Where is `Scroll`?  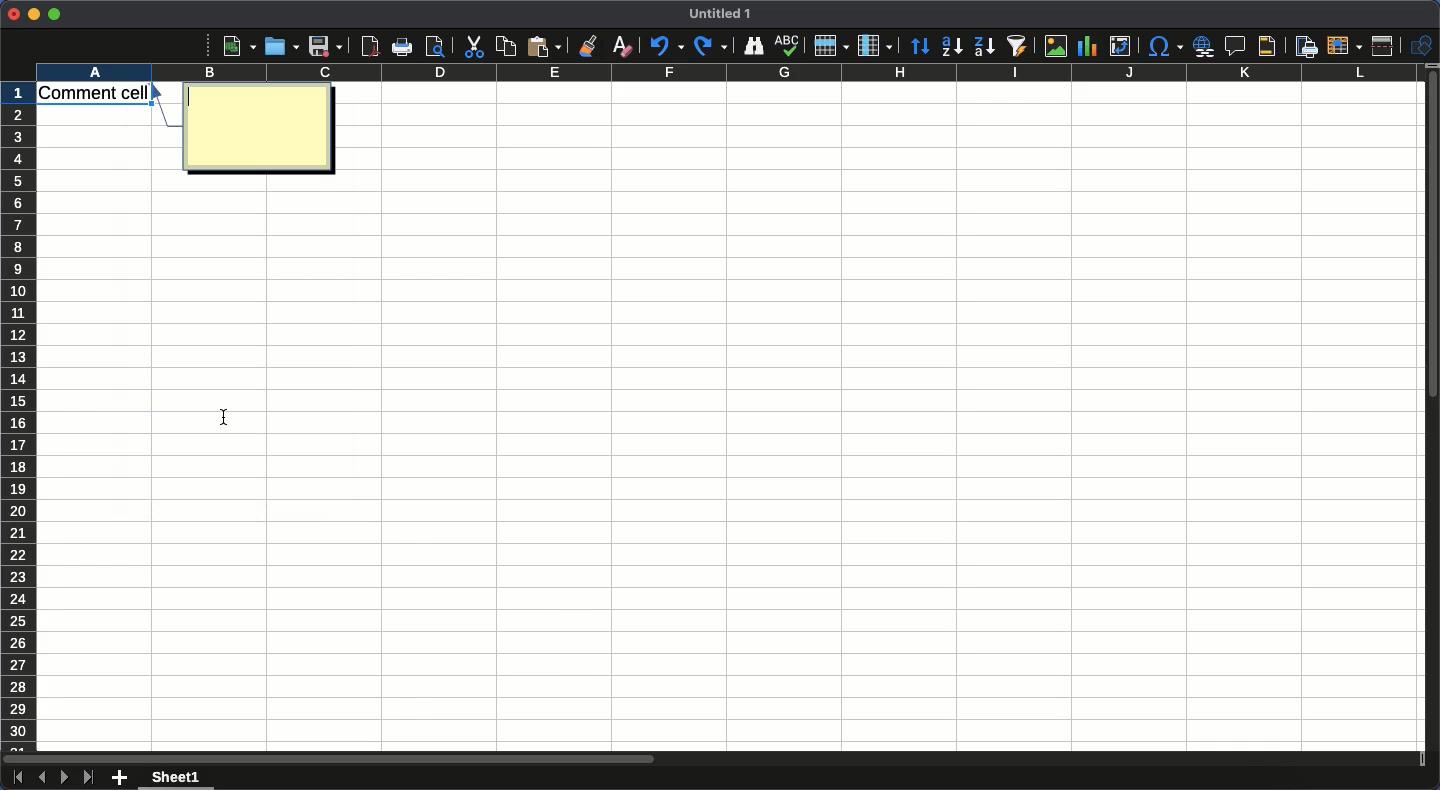 Scroll is located at coordinates (1431, 402).